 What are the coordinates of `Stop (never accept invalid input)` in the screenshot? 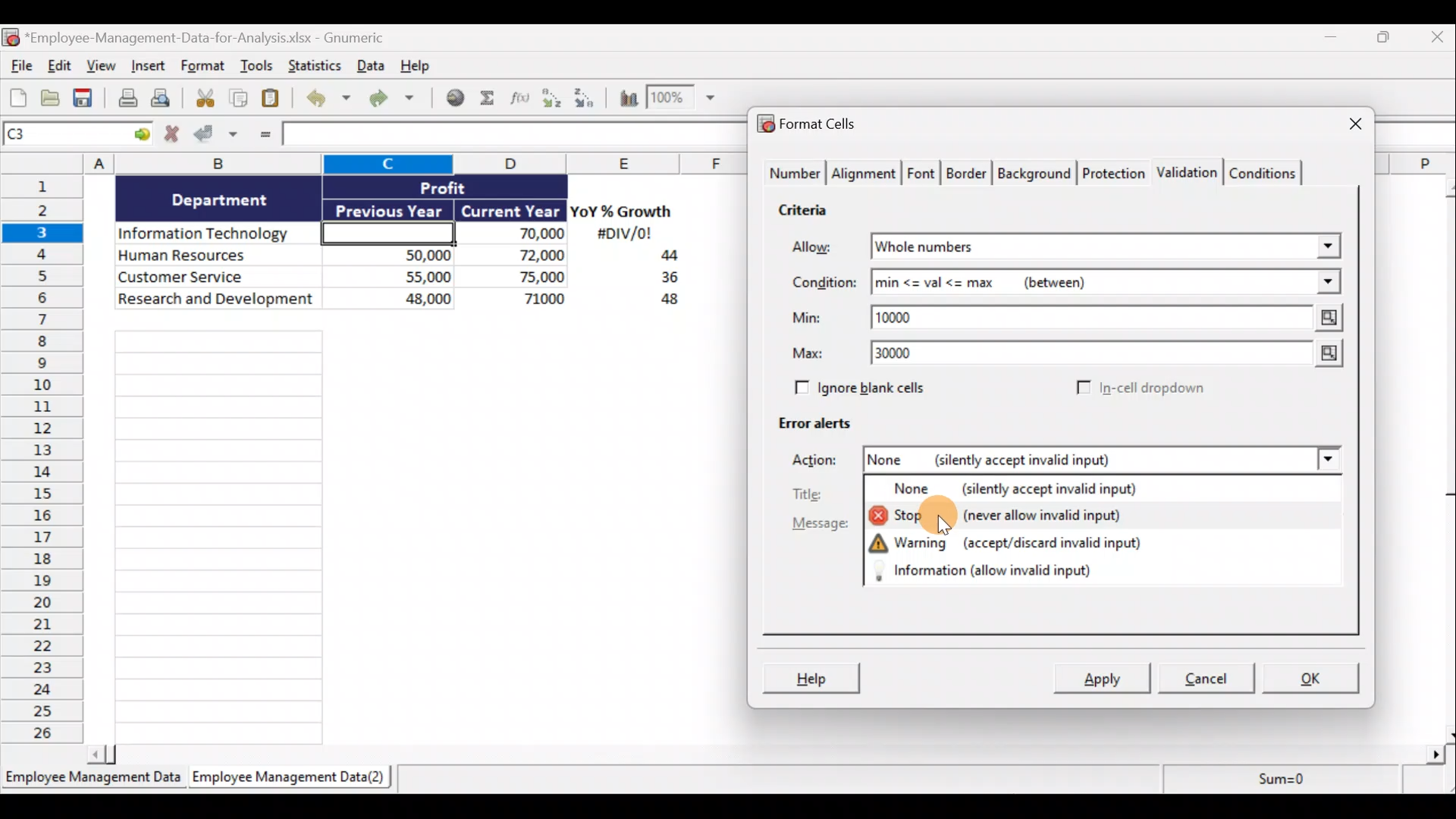 It's located at (1007, 519).